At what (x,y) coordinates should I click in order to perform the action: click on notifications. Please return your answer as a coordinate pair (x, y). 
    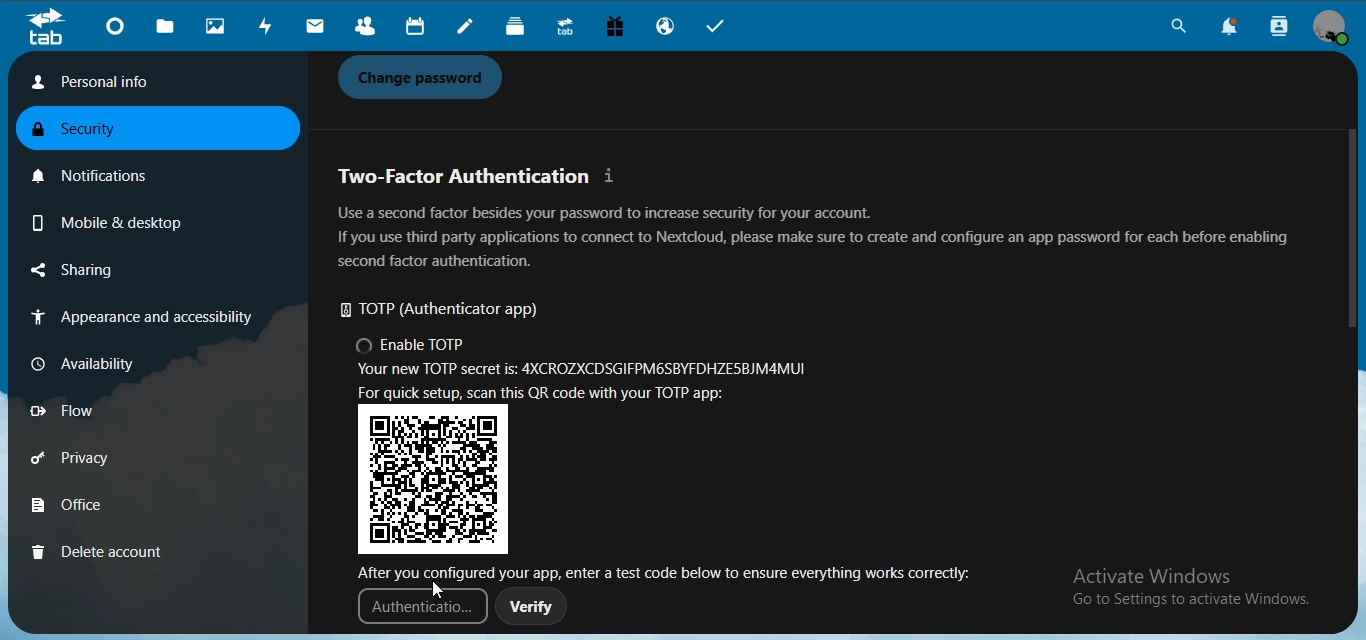
    Looking at the image, I should click on (101, 172).